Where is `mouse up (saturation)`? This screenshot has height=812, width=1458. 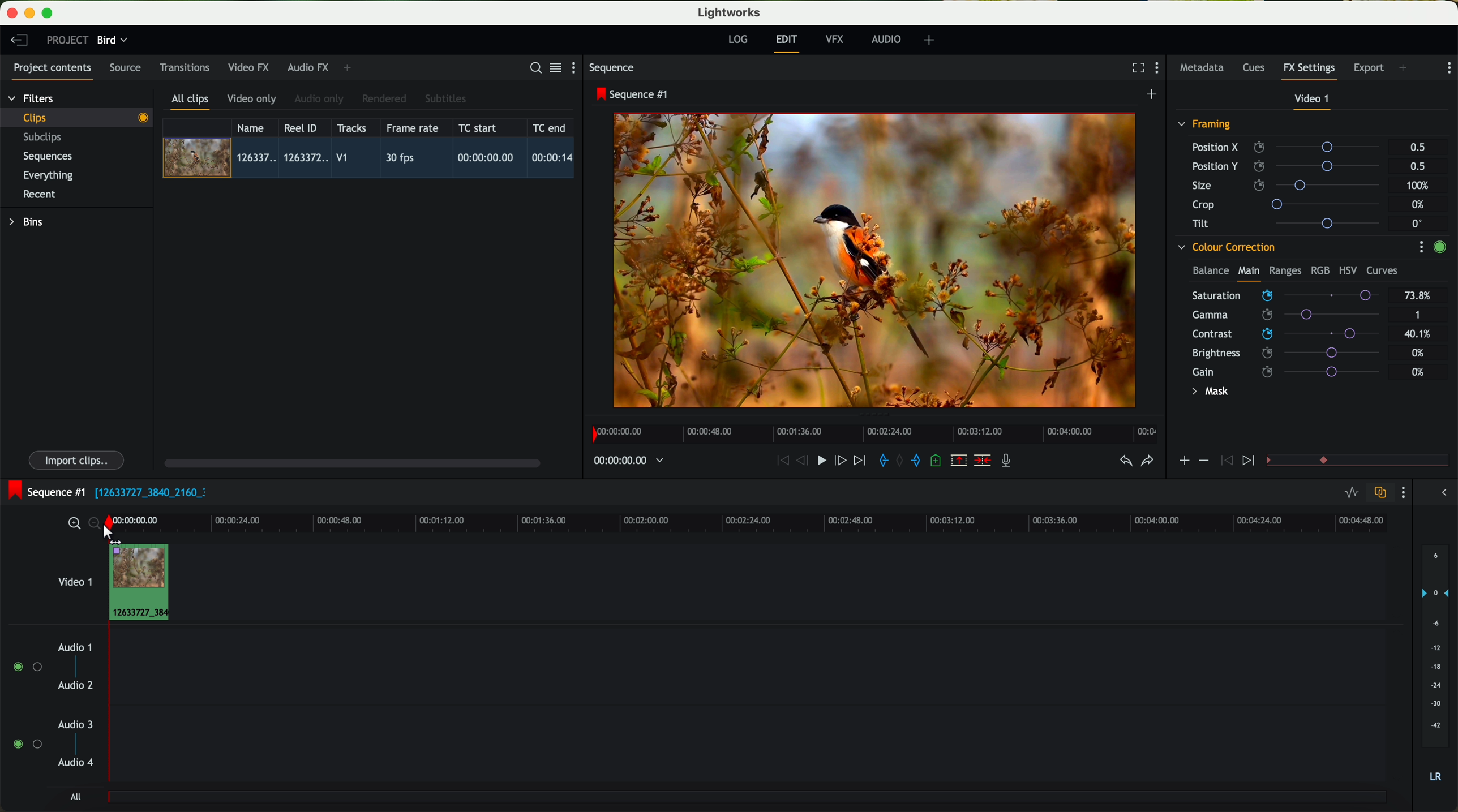
mouse up (saturation) is located at coordinates (1285, 293).